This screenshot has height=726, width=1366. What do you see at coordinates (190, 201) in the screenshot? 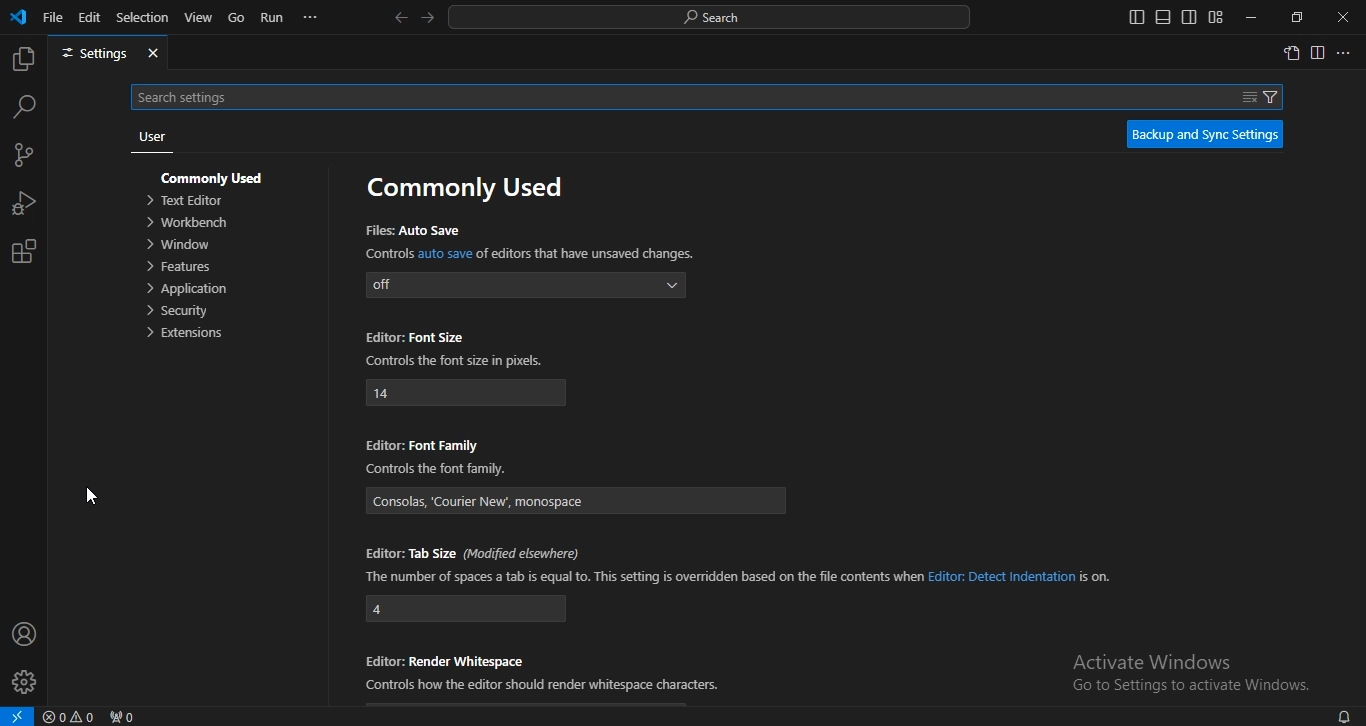
I see `text editor` at bounding box center [190, 201].